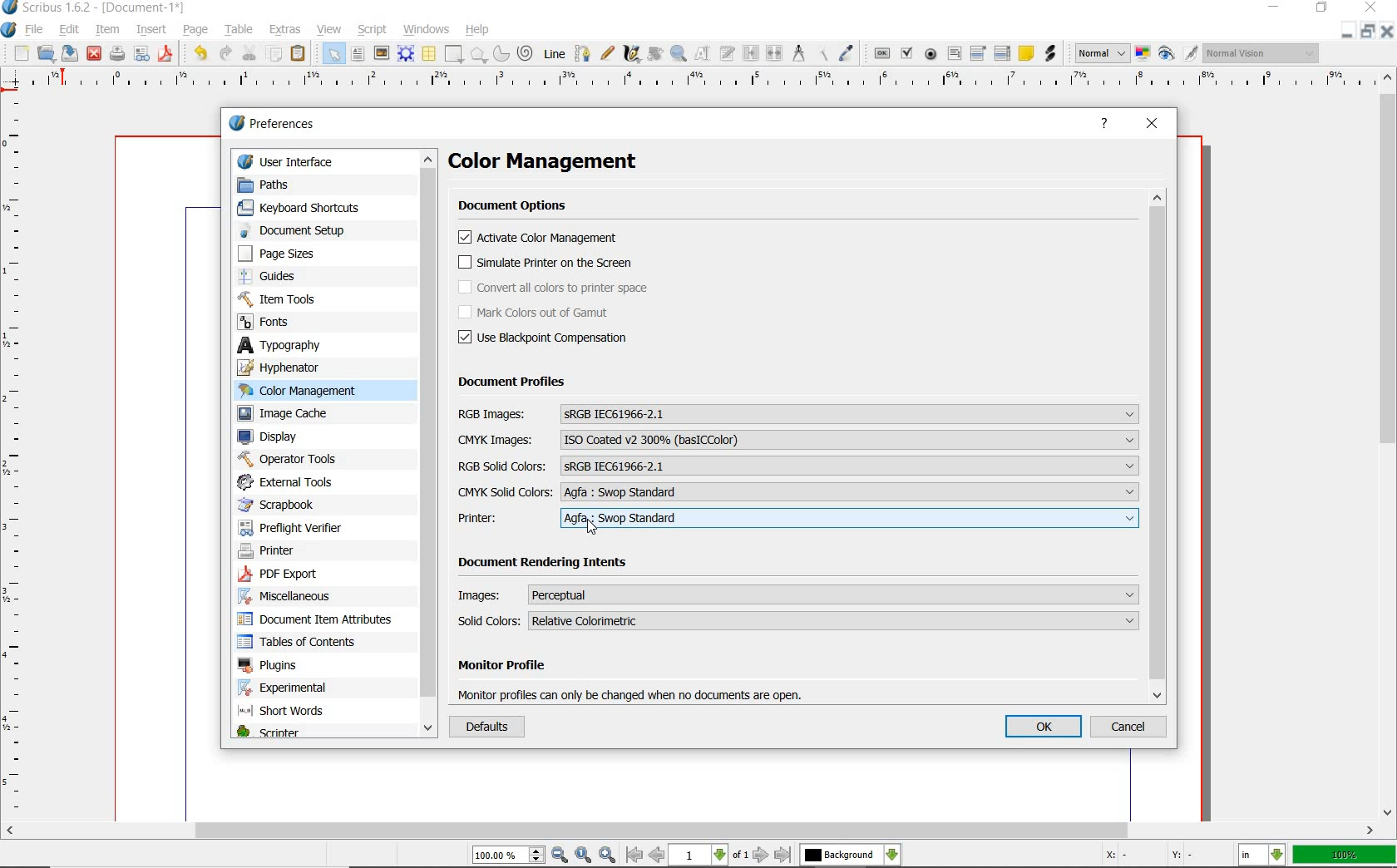 The image size is (1397, 868). Describe the element at coordinates (108, 29) in the screenshot. I see `item` at that location.